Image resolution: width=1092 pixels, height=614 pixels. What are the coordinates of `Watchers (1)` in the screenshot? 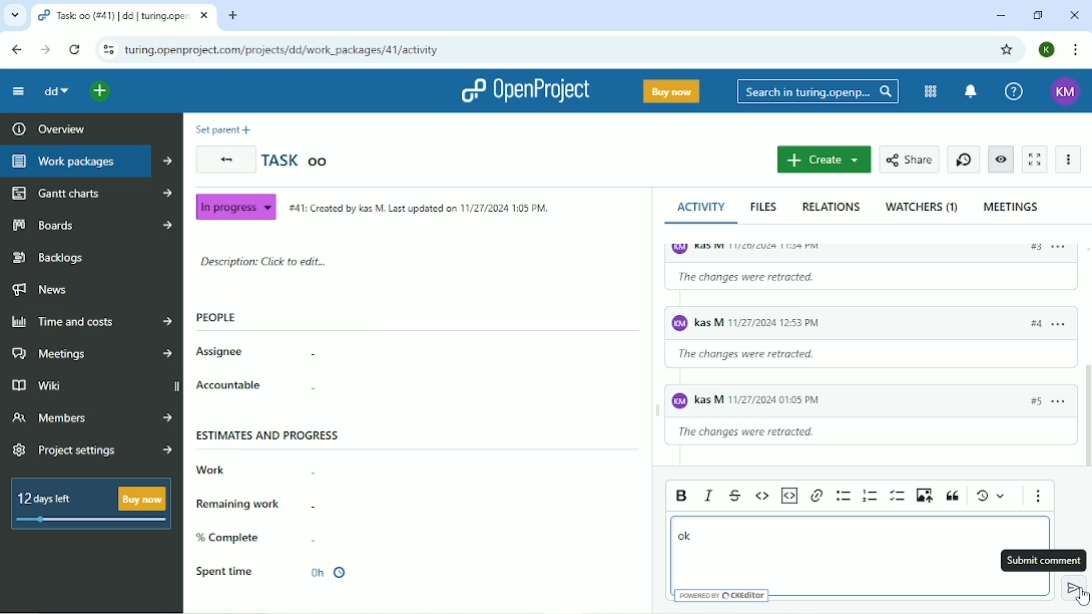 It's located at (921, 208).